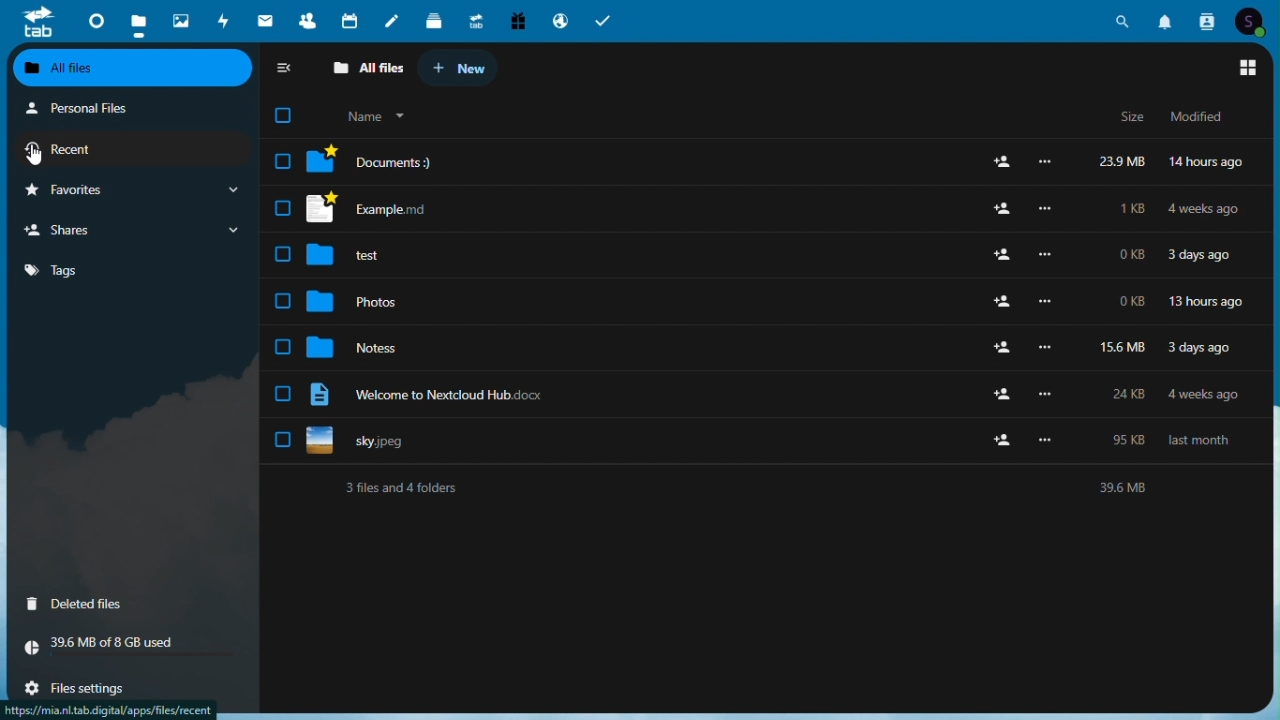 This screenshot has height=720, width=1280. I want to click on add user, so click(1000, 444).